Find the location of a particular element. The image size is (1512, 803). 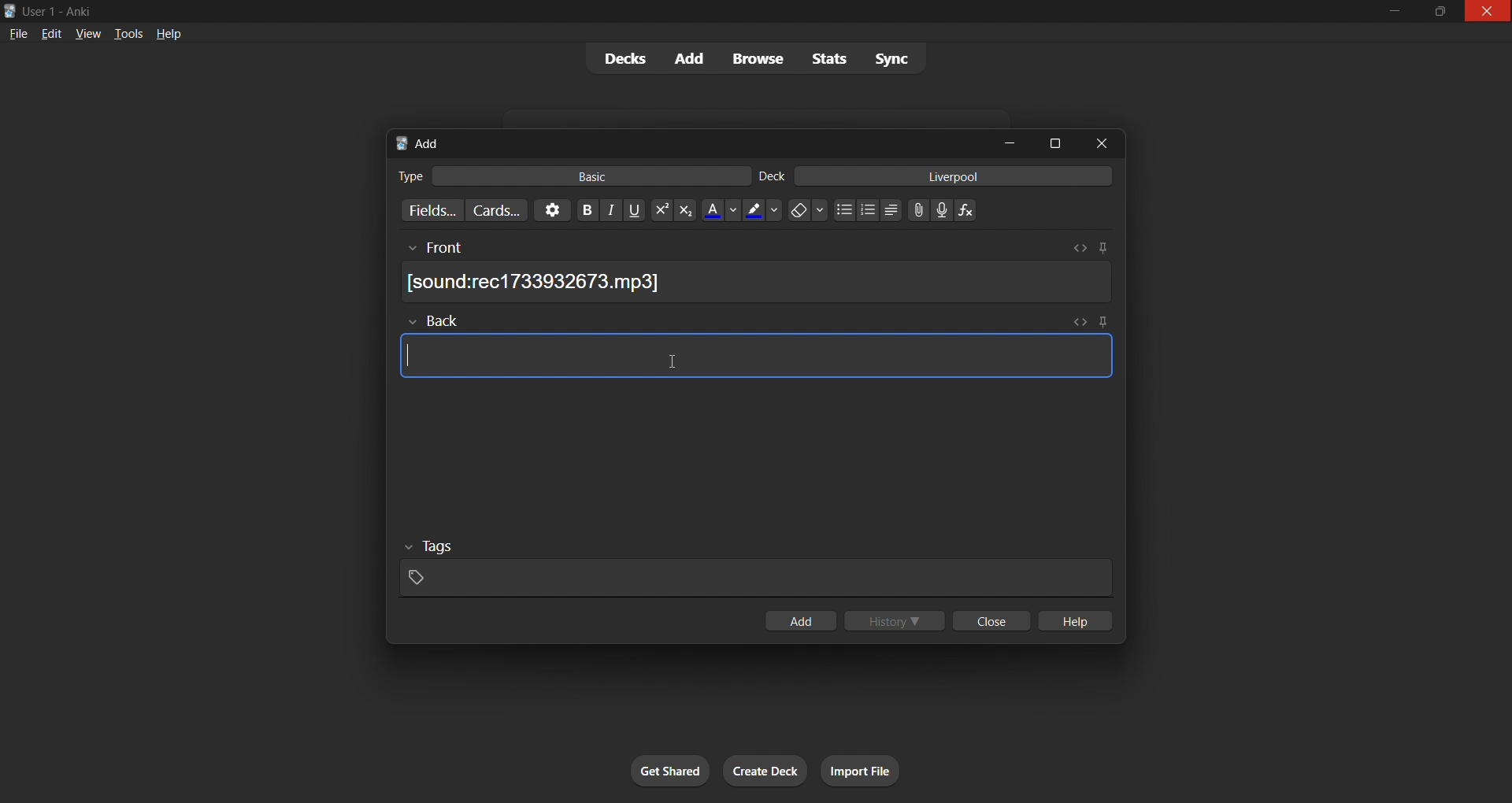

equation is located at coordinates (969, 211).